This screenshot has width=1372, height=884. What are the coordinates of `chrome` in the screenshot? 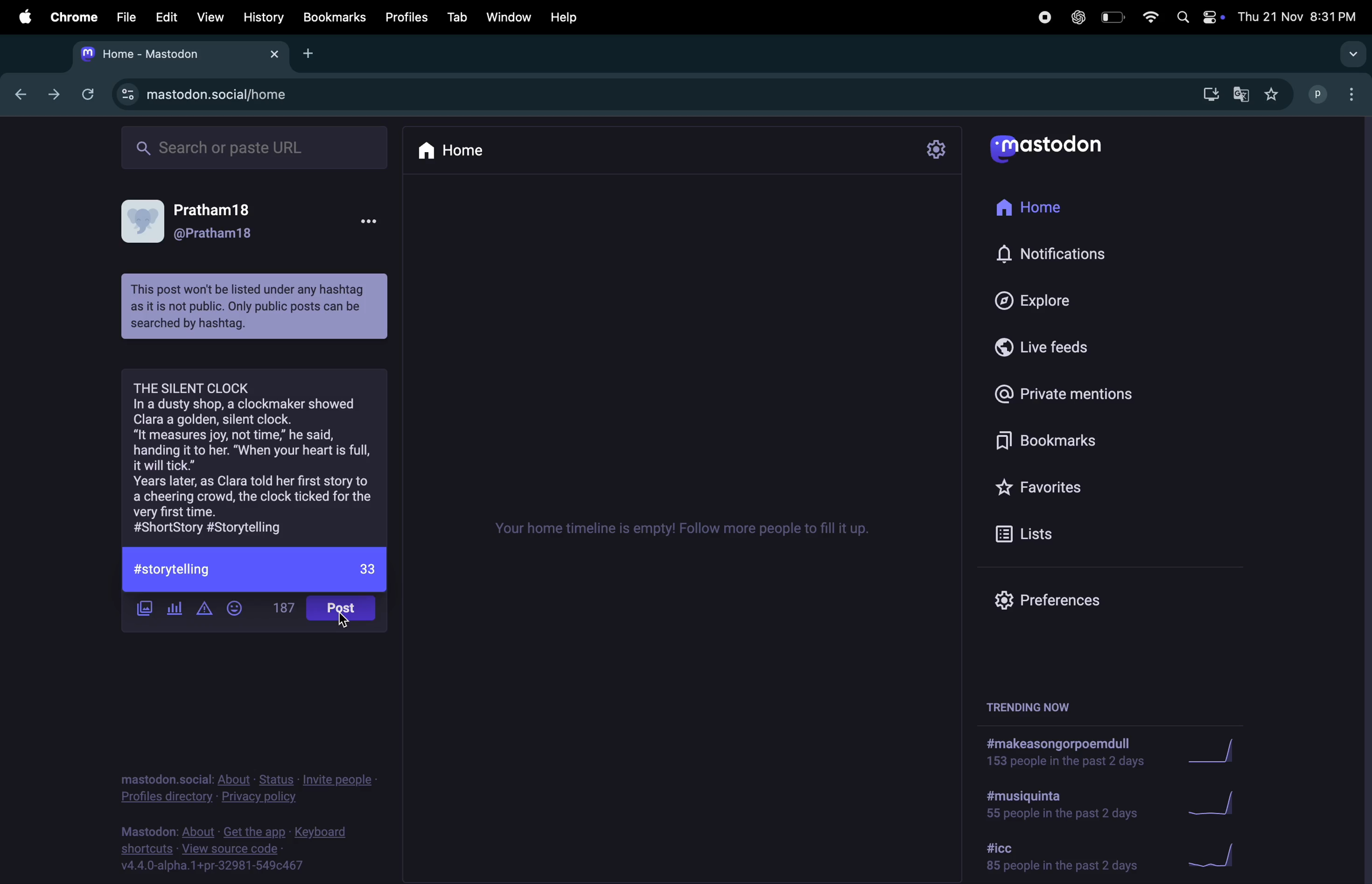 It's located at (74, 15).